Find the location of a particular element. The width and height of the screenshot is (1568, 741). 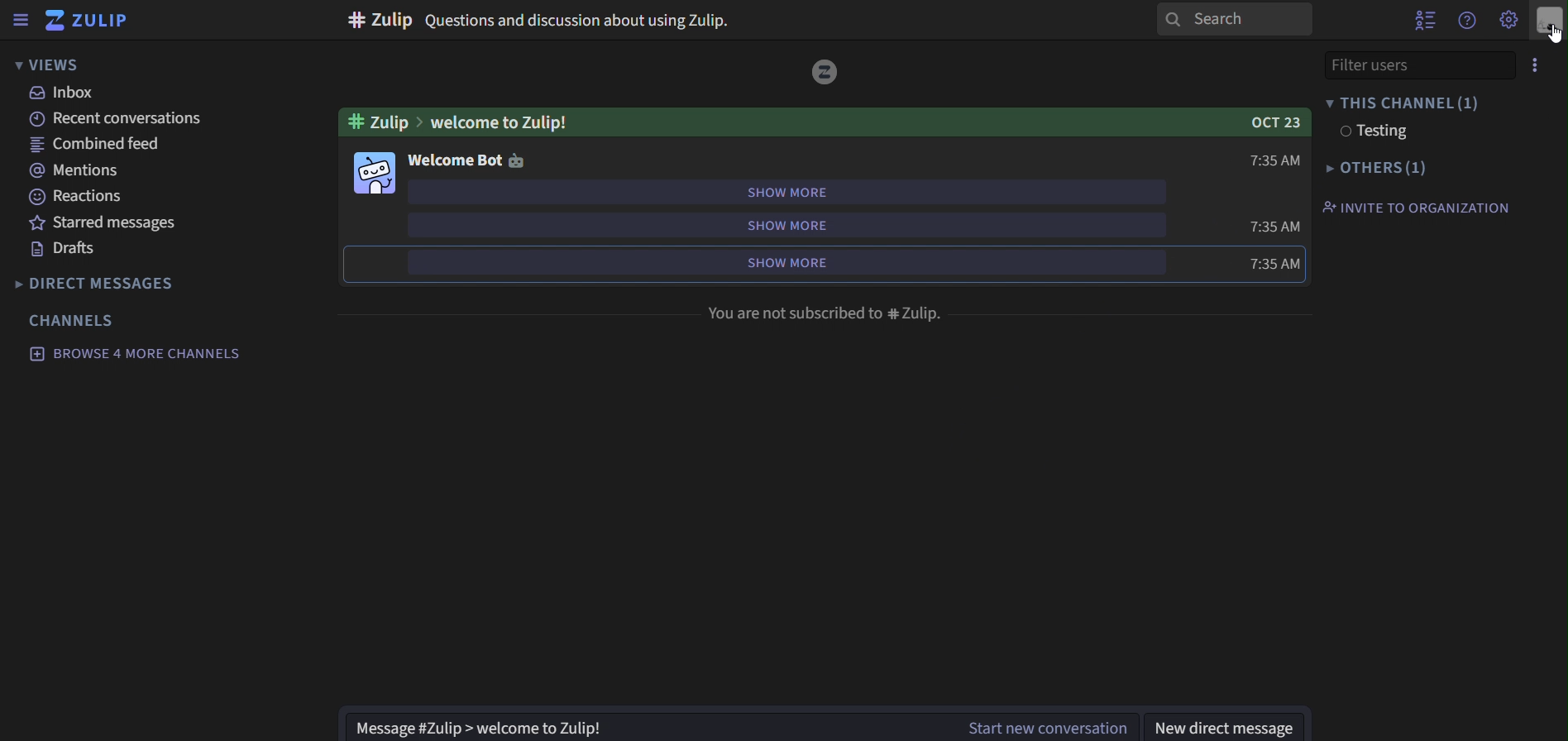

settings is located at coordinates (1510, 18).